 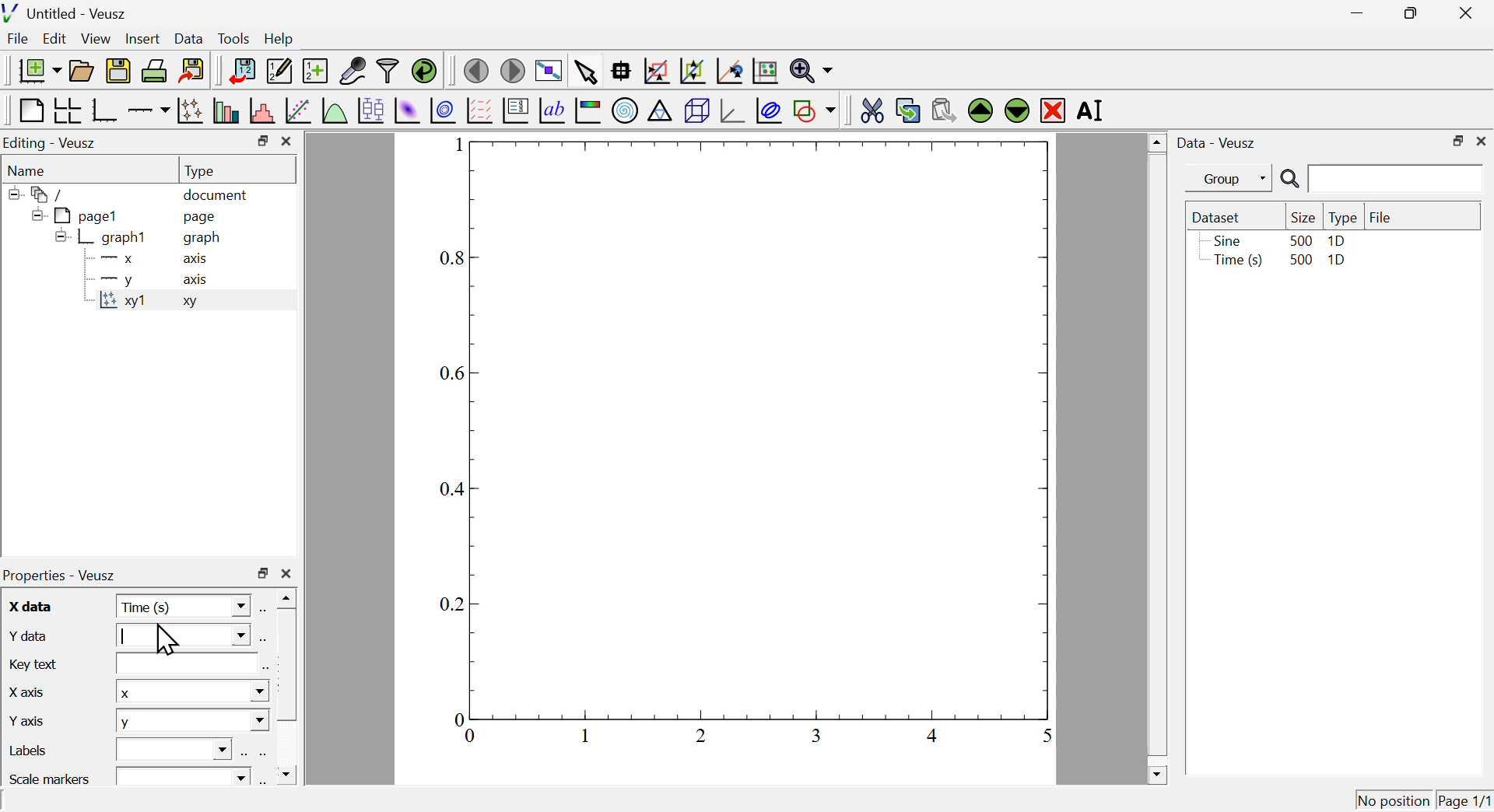 I want to click on 0, so click(x=458, y=718).